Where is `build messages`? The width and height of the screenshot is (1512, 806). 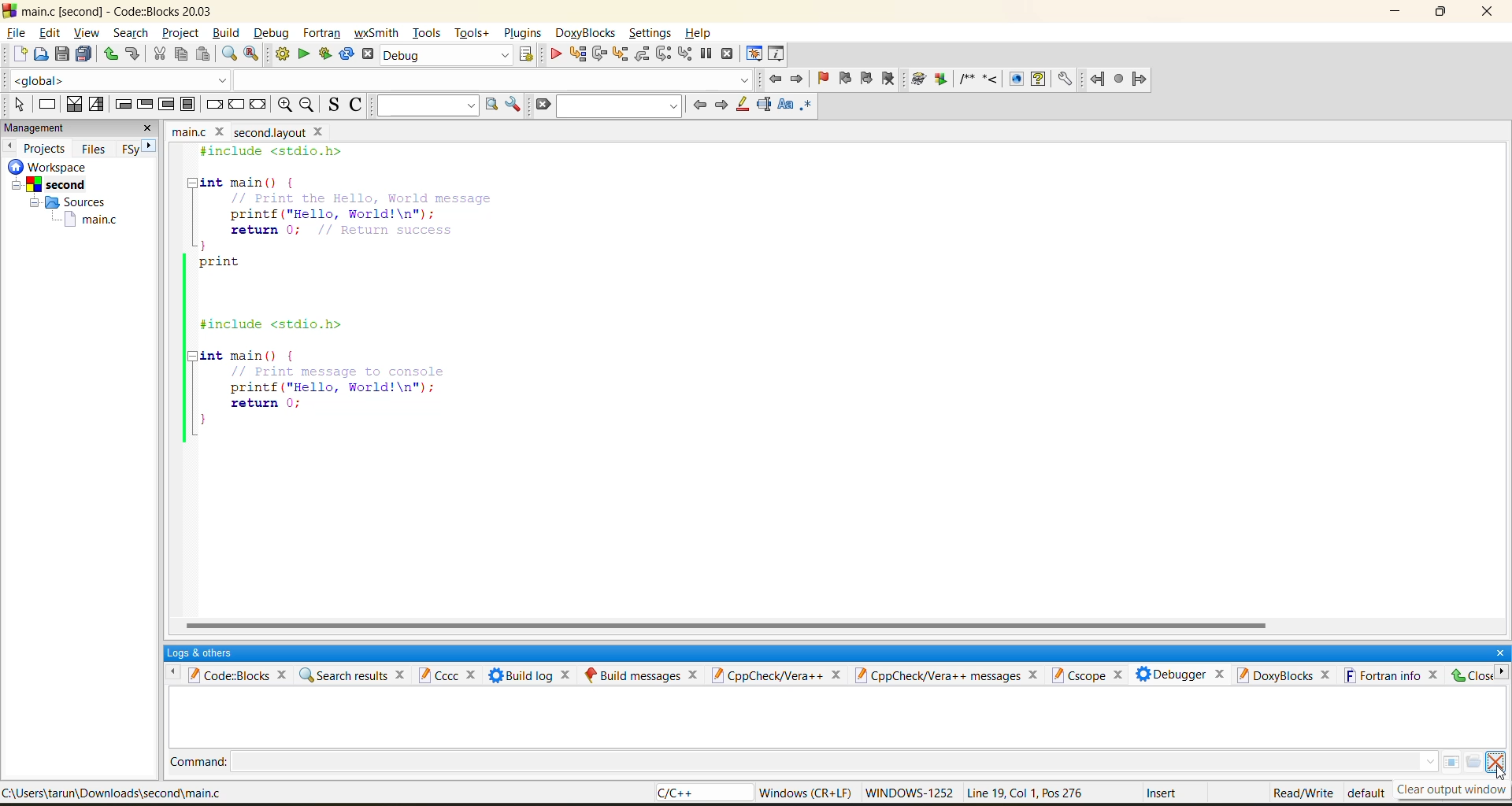 build messages is located at coordinates (645, 673).